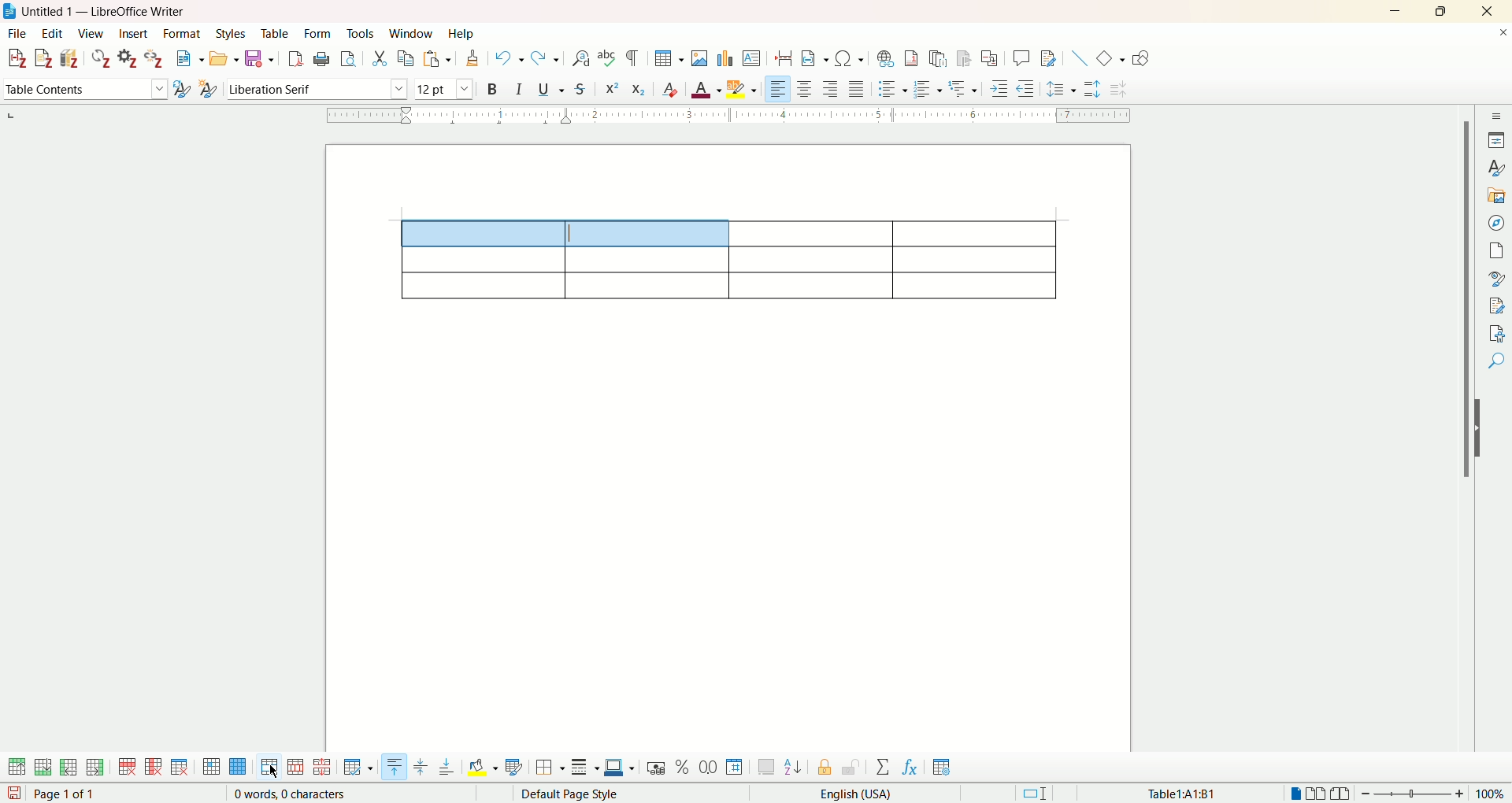  What do you see at coordinates (124, 764) in the screenshot?
I see `delete row` at bounding box center [124, 764].